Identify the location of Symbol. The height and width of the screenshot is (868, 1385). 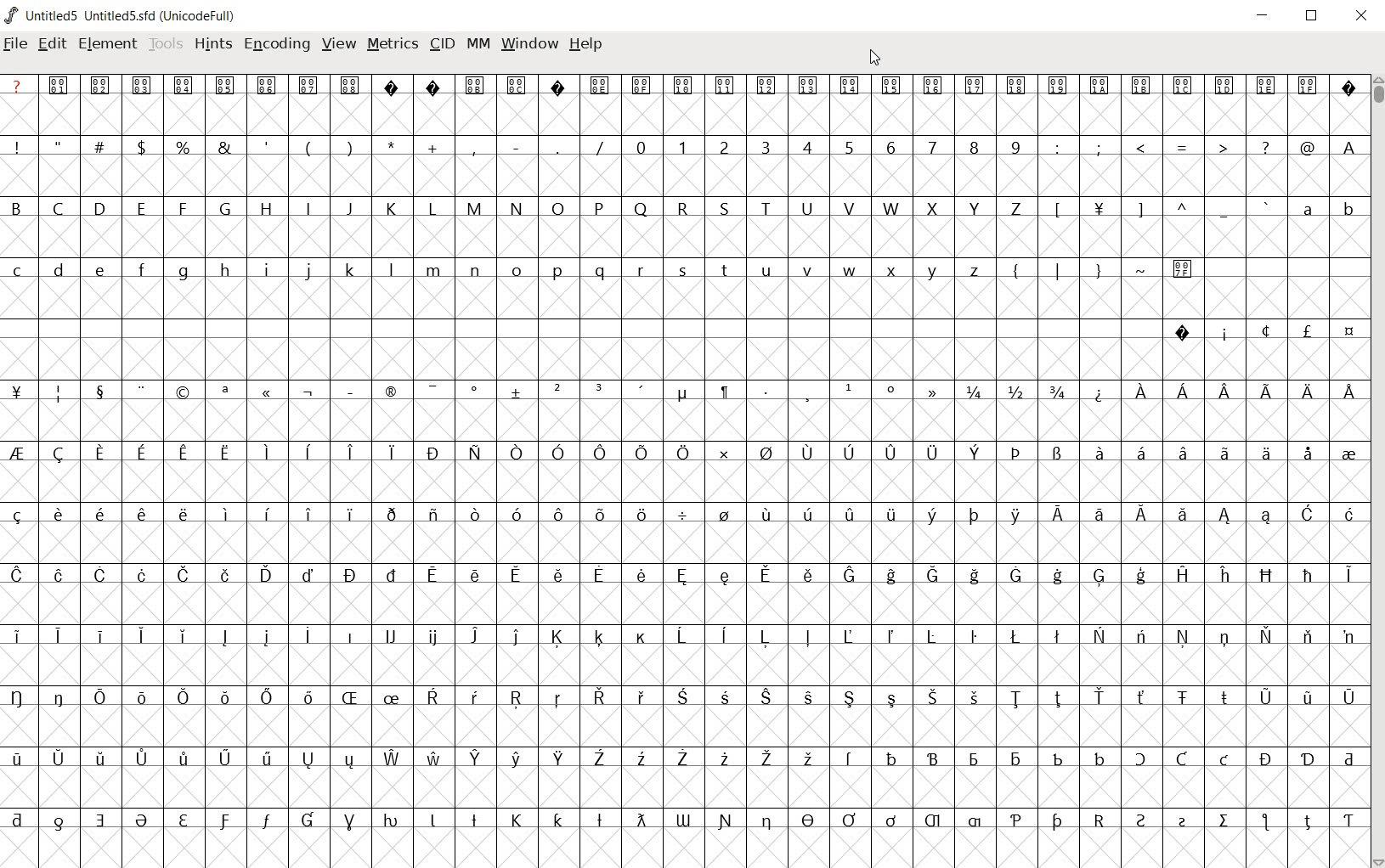
(349, 698).